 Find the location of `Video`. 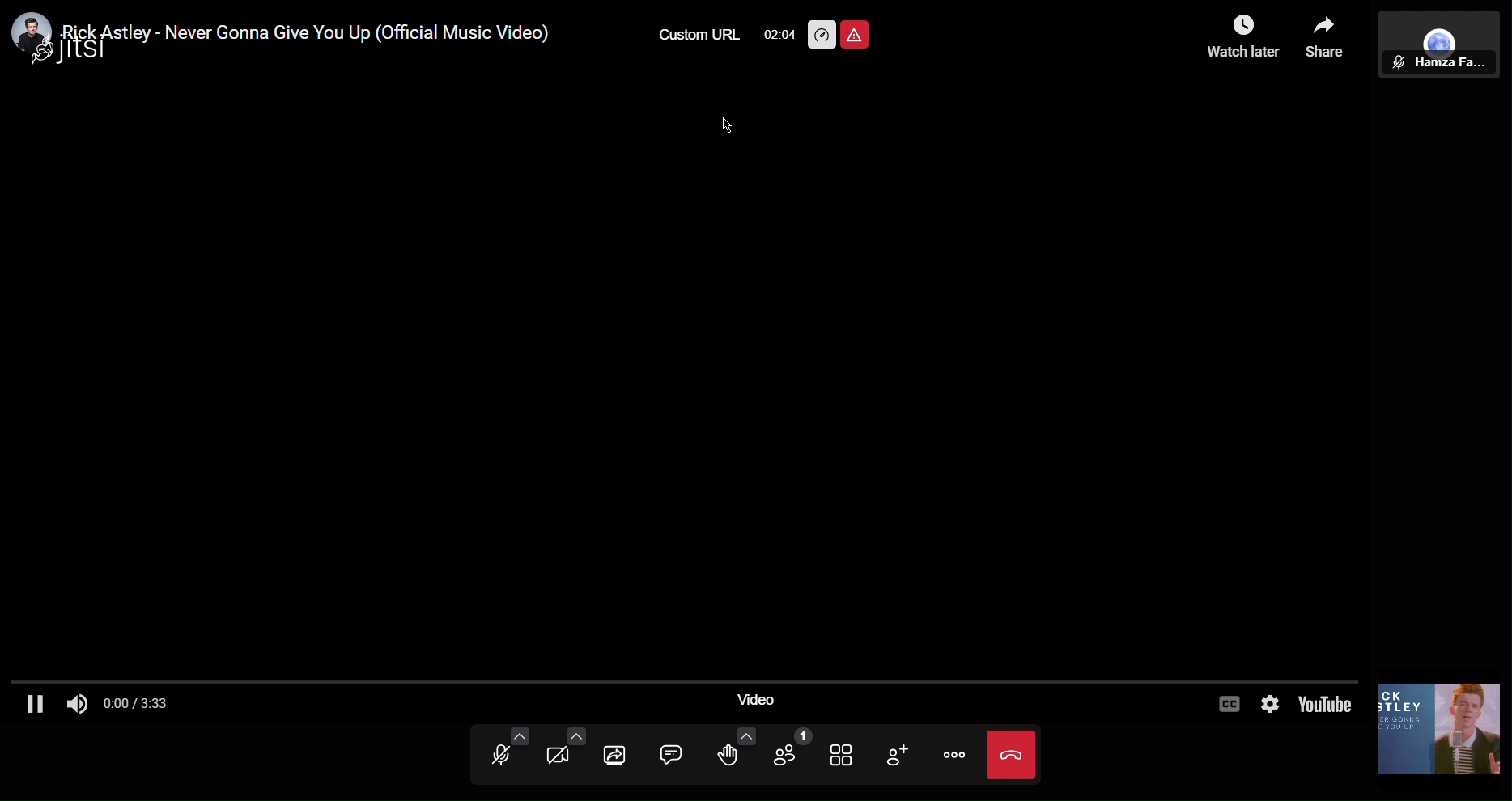

Video is located at coordinates (755, 702).